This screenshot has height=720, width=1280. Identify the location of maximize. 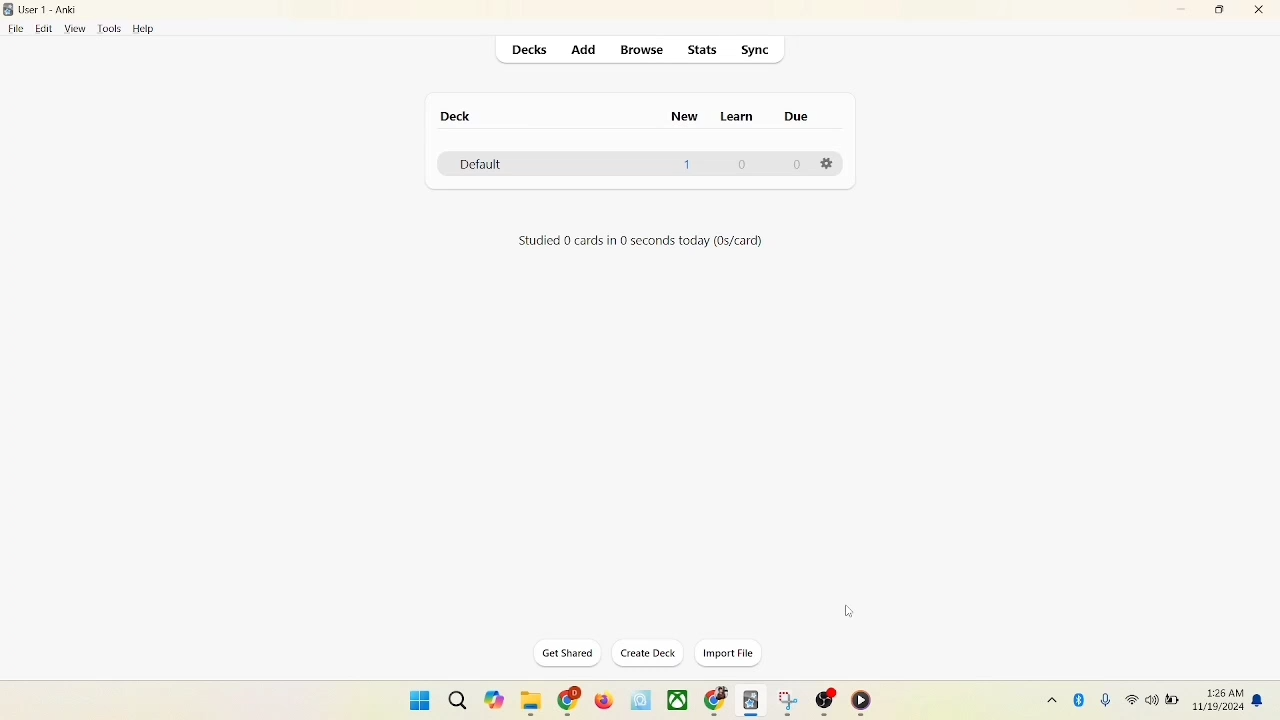
(1222, 13).